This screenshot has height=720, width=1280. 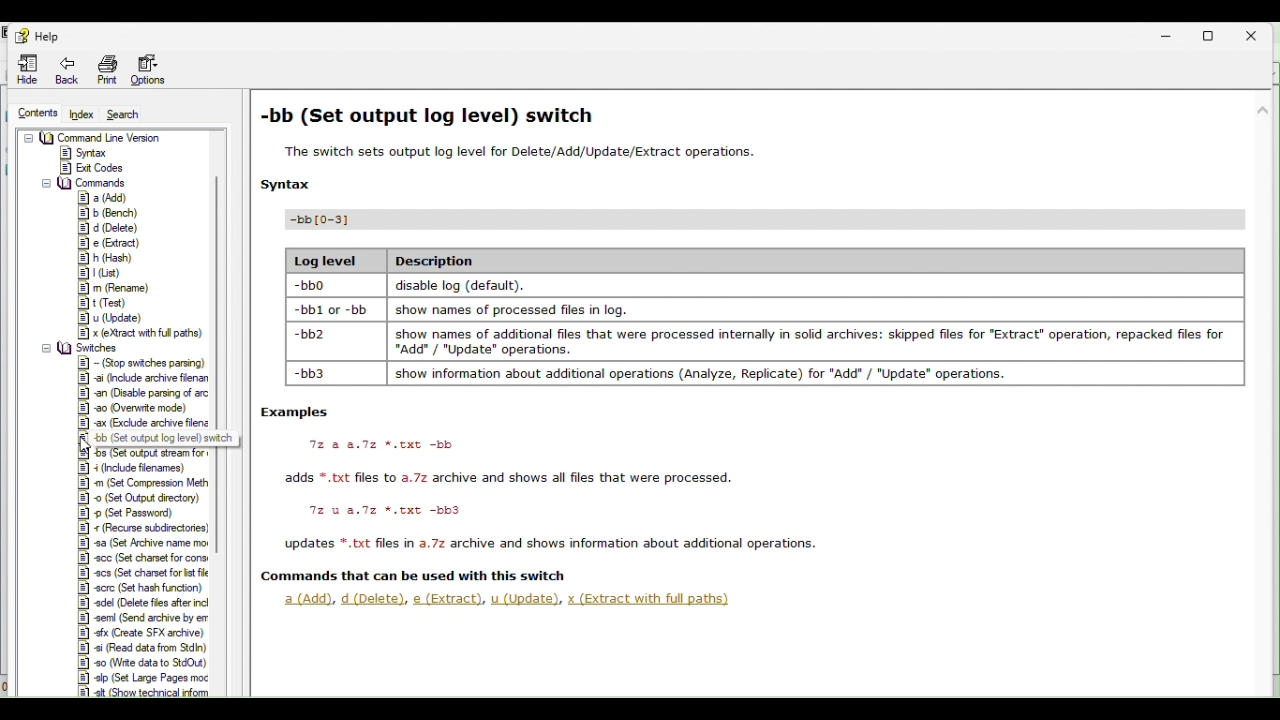 I want to click on index, so click(x=84, y=114).